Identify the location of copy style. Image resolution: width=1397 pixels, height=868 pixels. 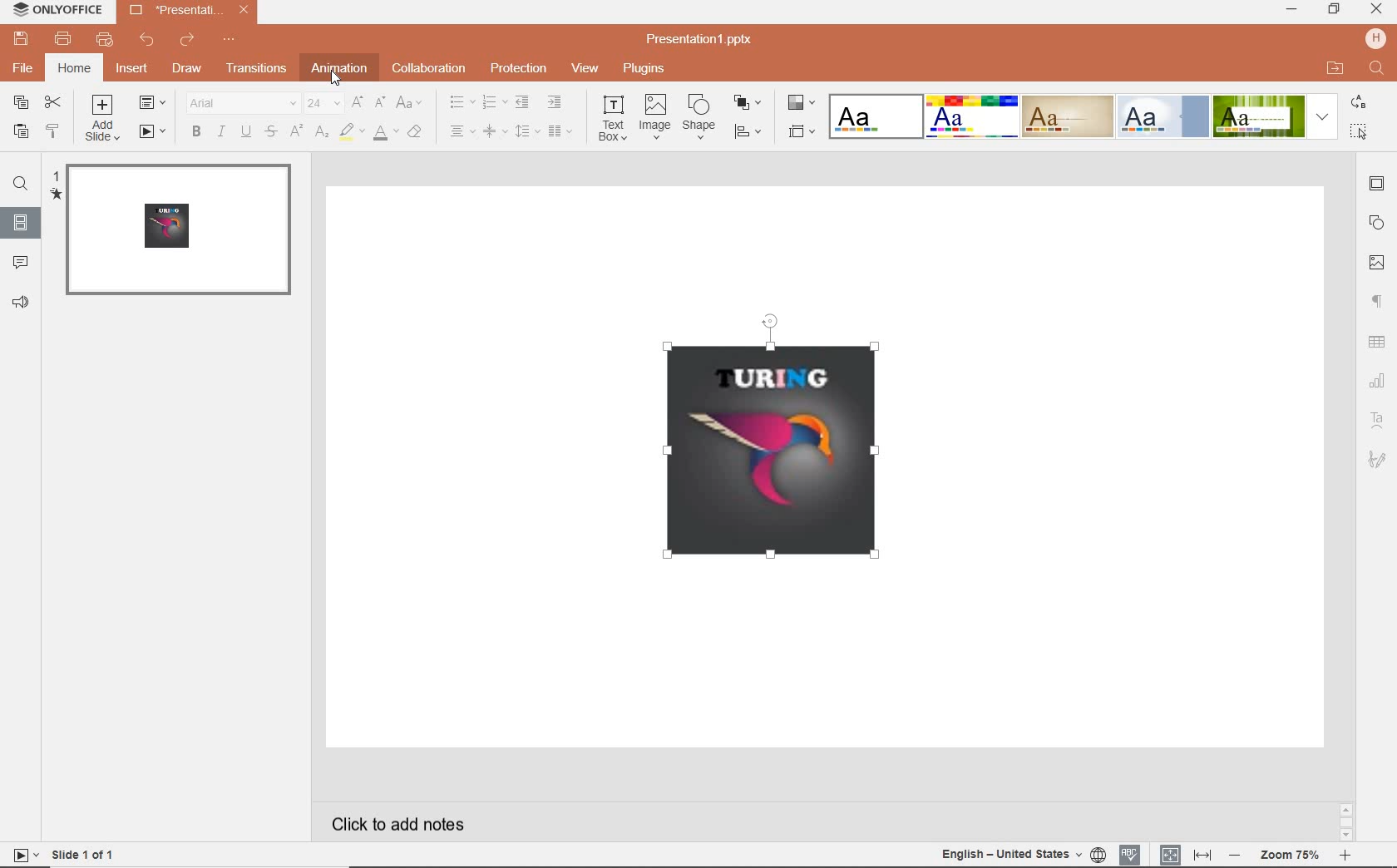
(54, 131).